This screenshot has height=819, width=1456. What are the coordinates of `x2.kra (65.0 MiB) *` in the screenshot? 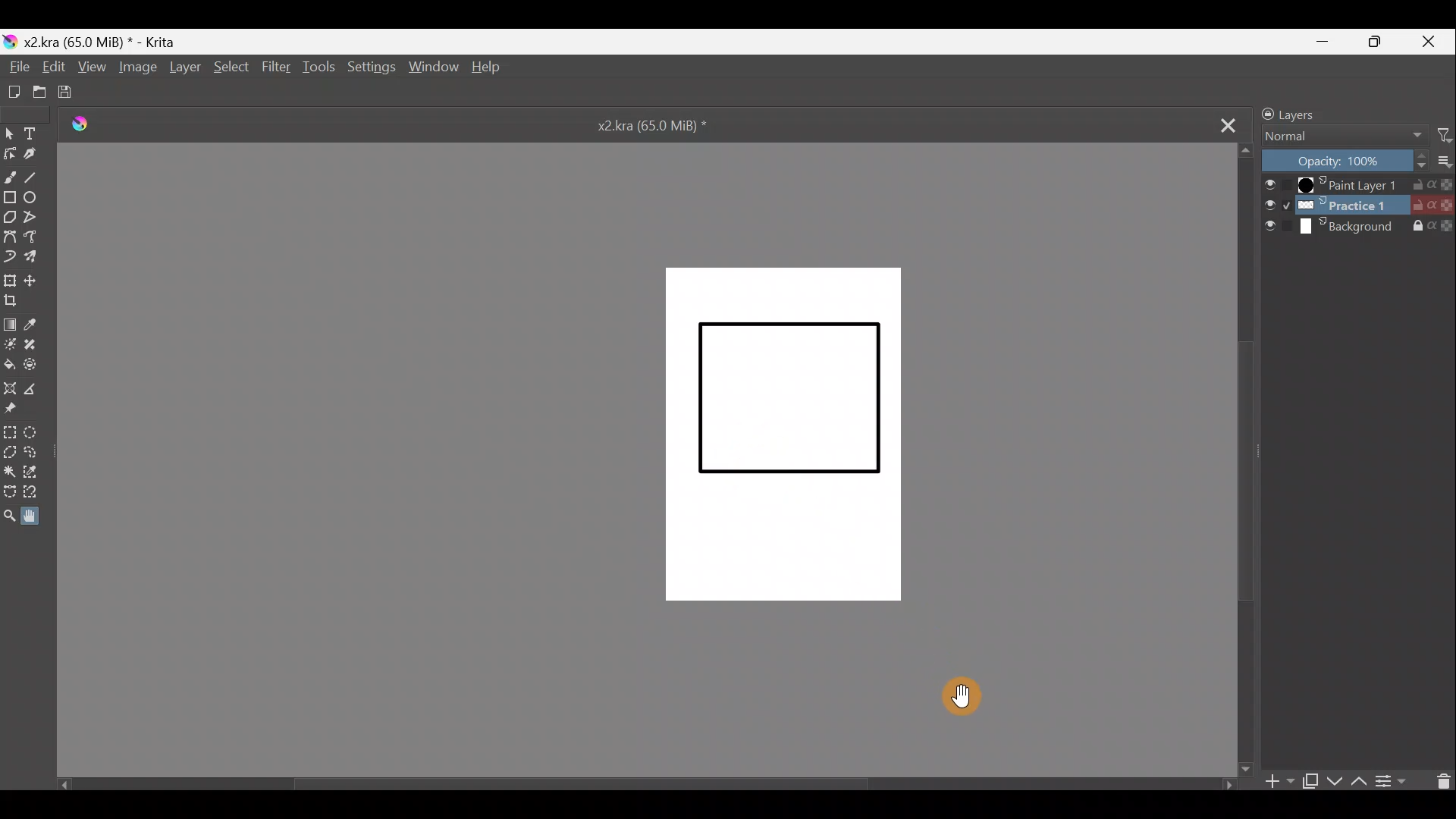 It's located at (664, 124).